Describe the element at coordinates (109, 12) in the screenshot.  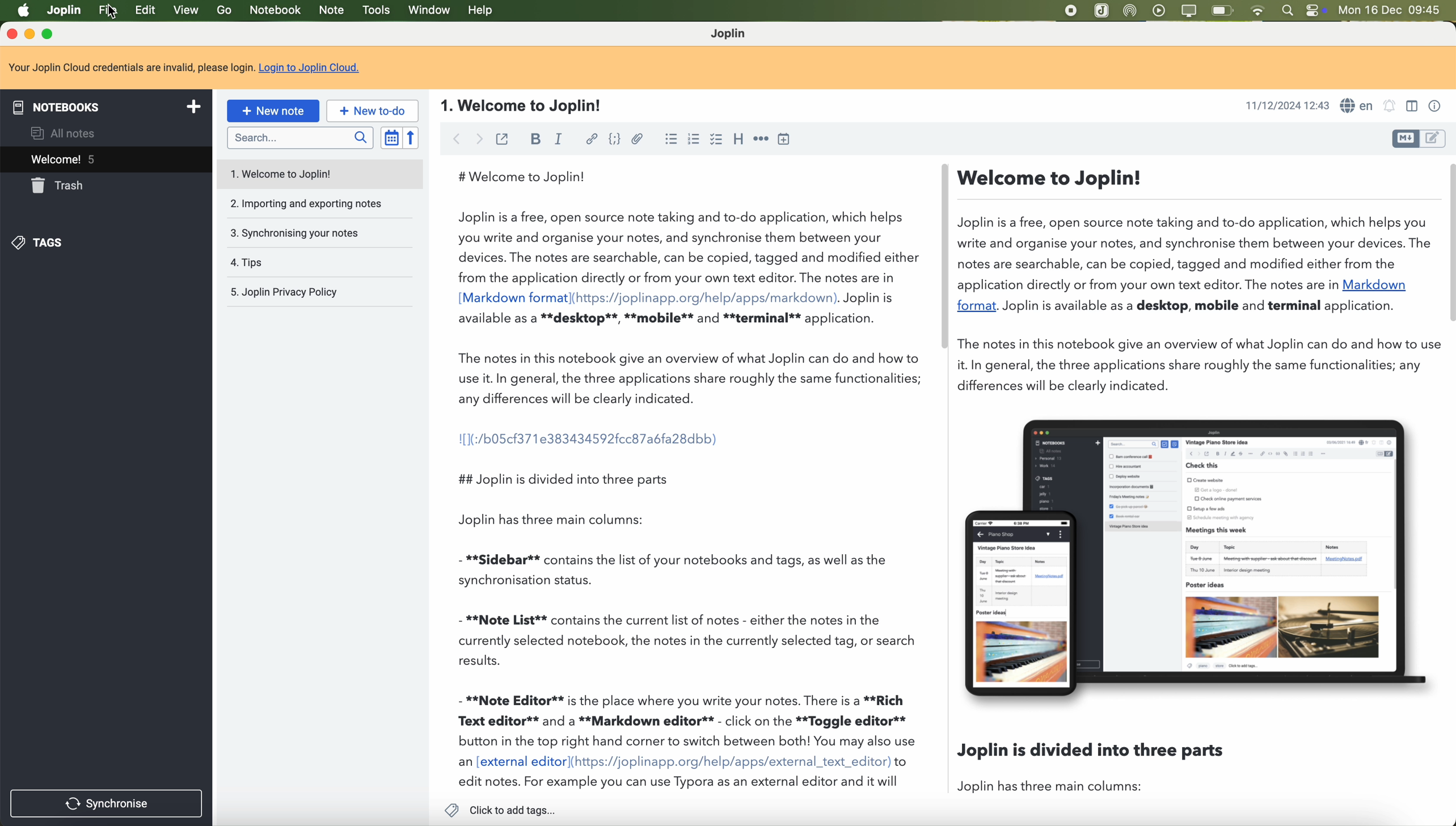
I see `Cursor` at that location.